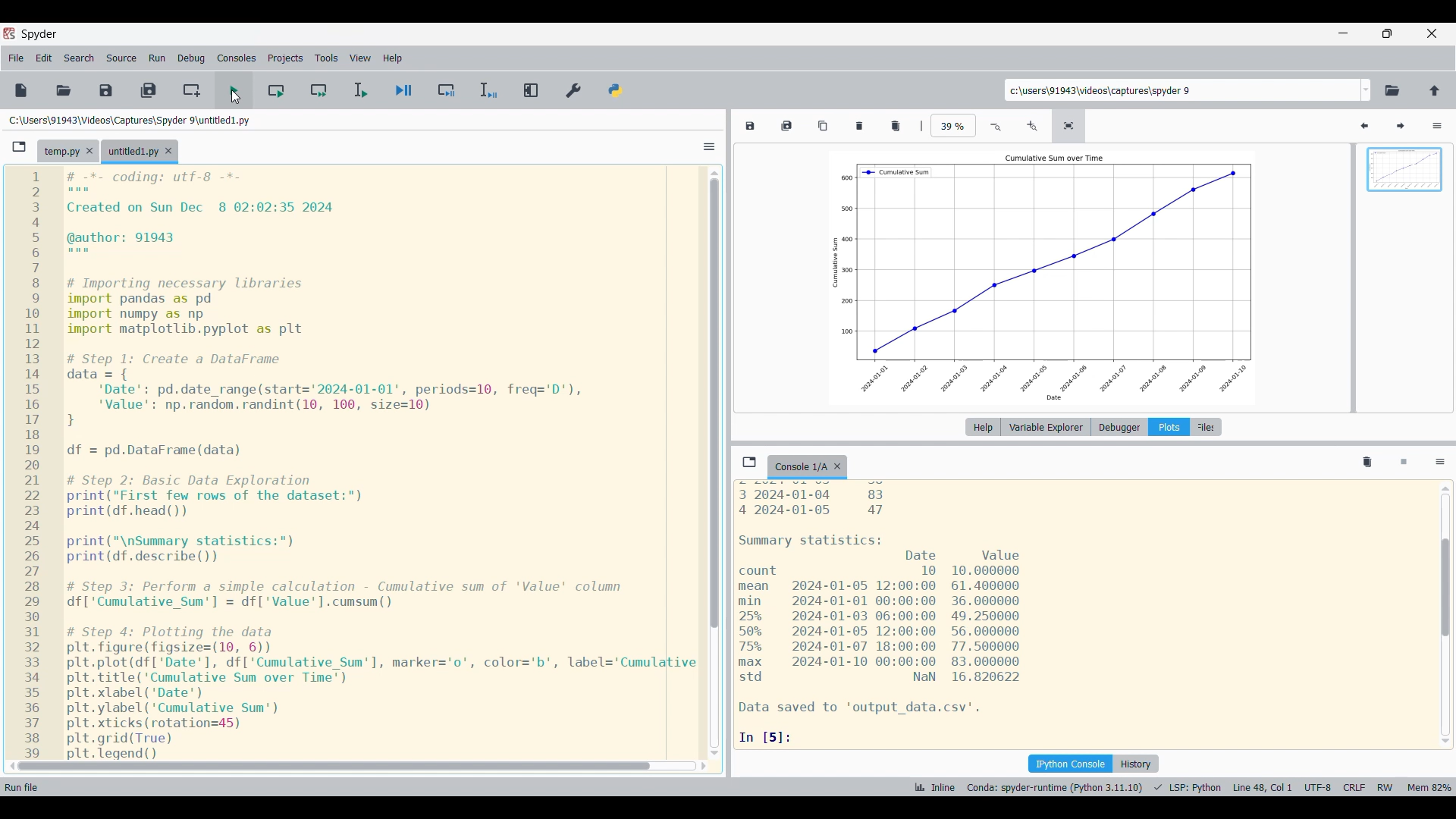  Describe the element at coordinates (1429, 786) in the screenshot. I see `memory usage` at that location.